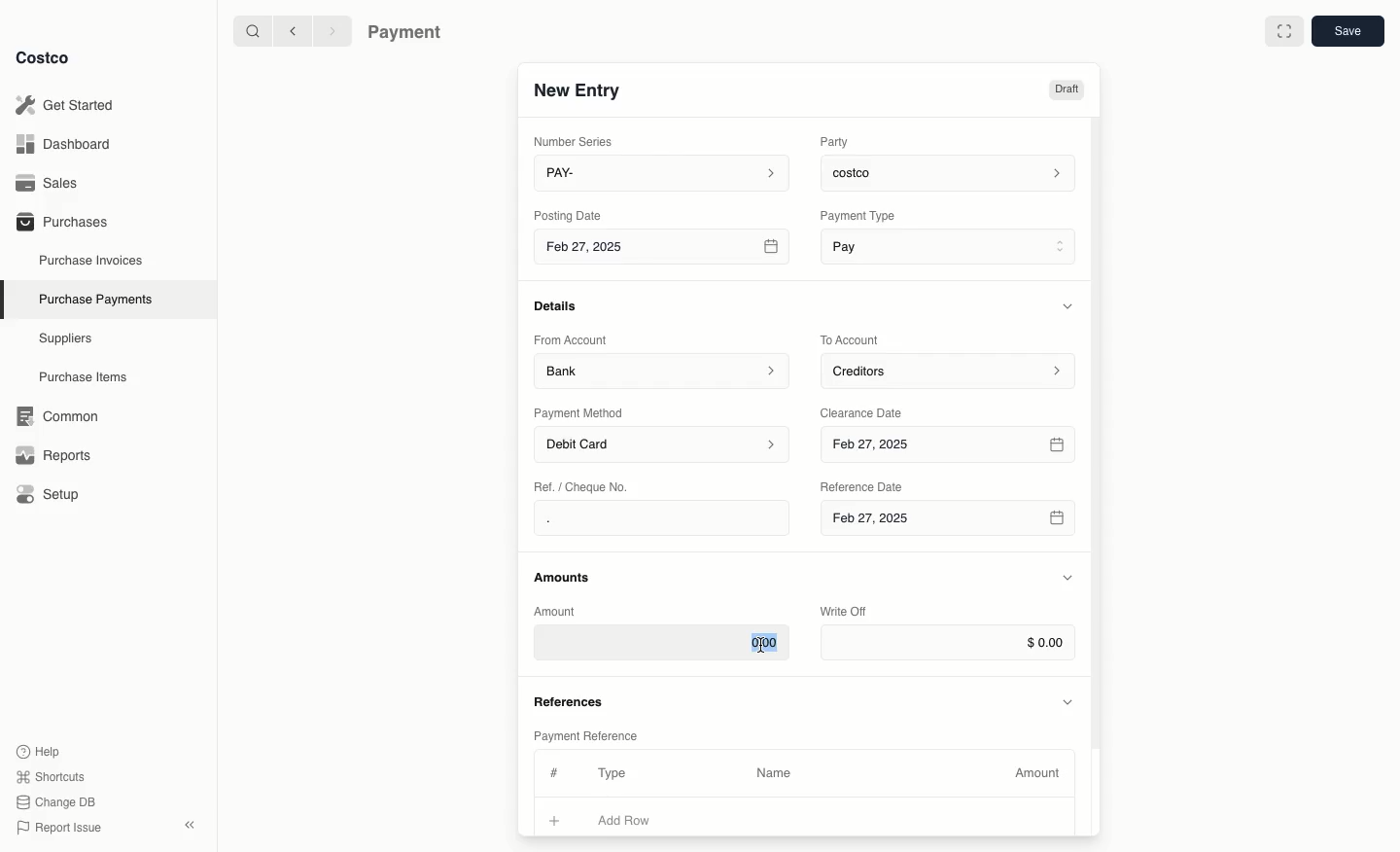 The image size is (1400, 852). Describe the element at coordinates (852, 339) in the screenshot. I see `To Account` at that location.